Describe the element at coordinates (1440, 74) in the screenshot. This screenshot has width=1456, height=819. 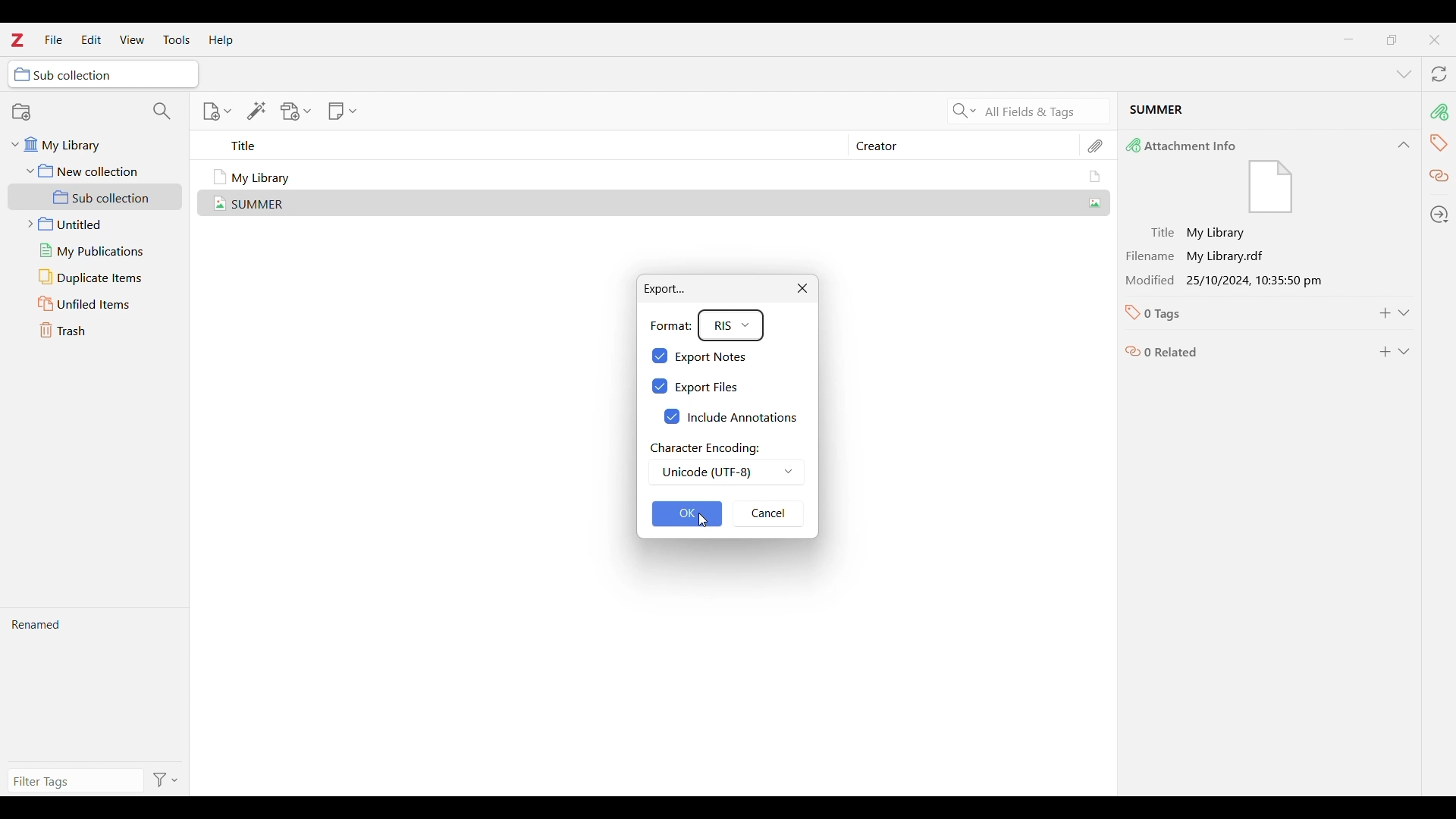
I see `Sync with zotero.org` at that location.